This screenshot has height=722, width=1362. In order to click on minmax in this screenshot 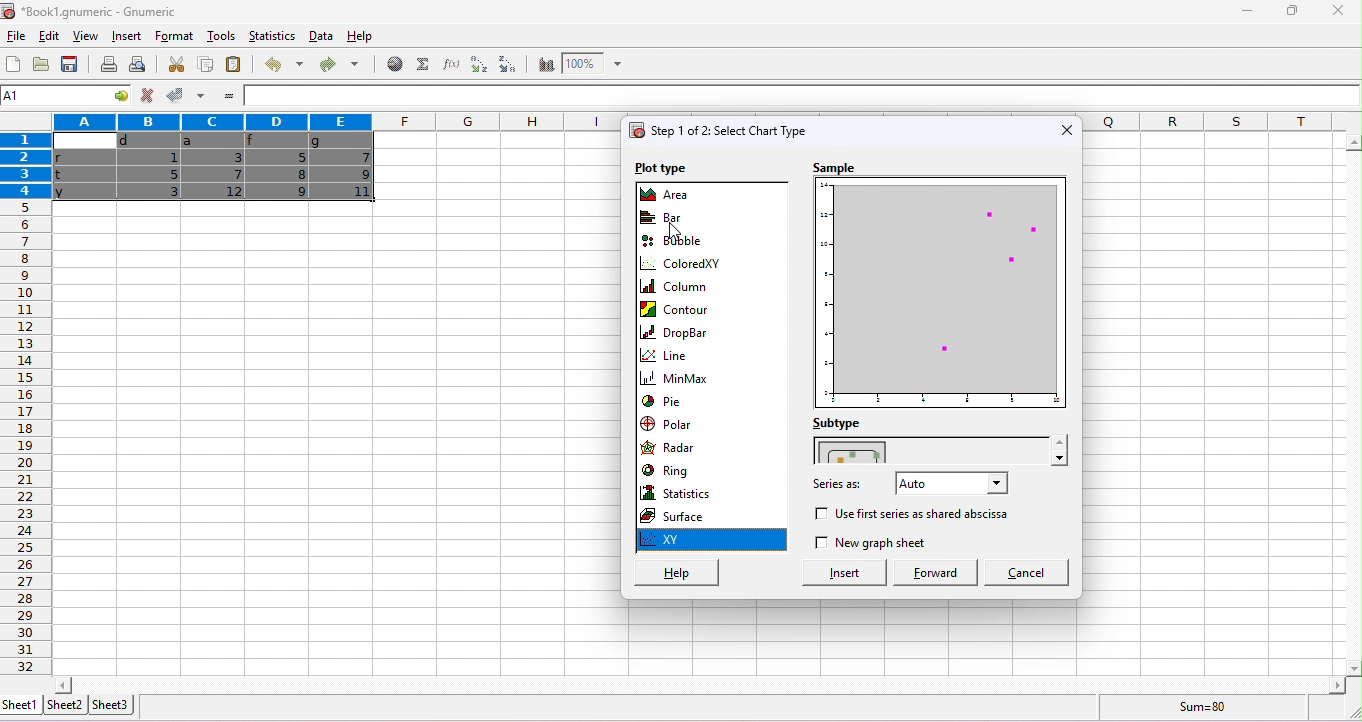, I will do `click(678, 380)`.